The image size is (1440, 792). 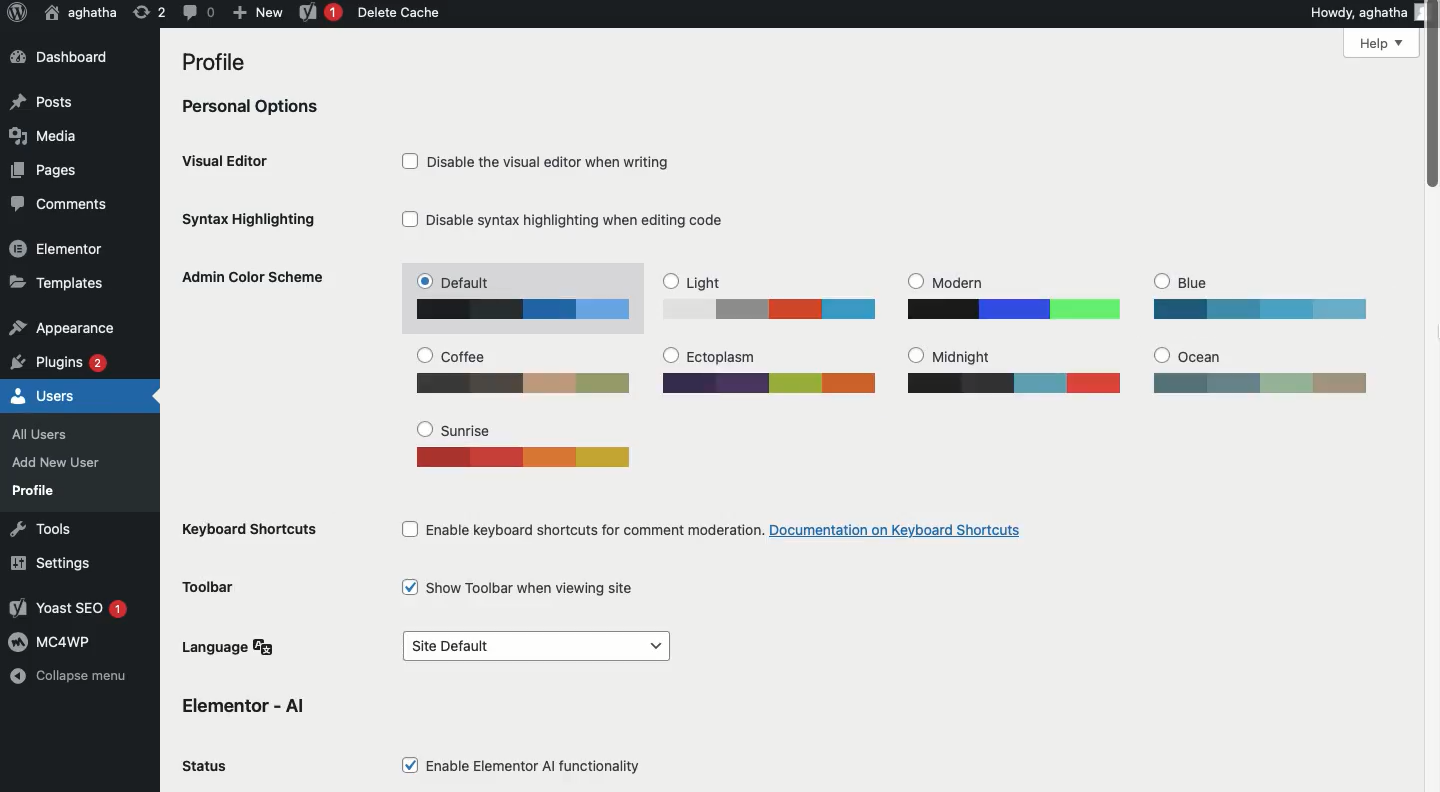 I want to click on Blue, so click(x=1259, y=293).